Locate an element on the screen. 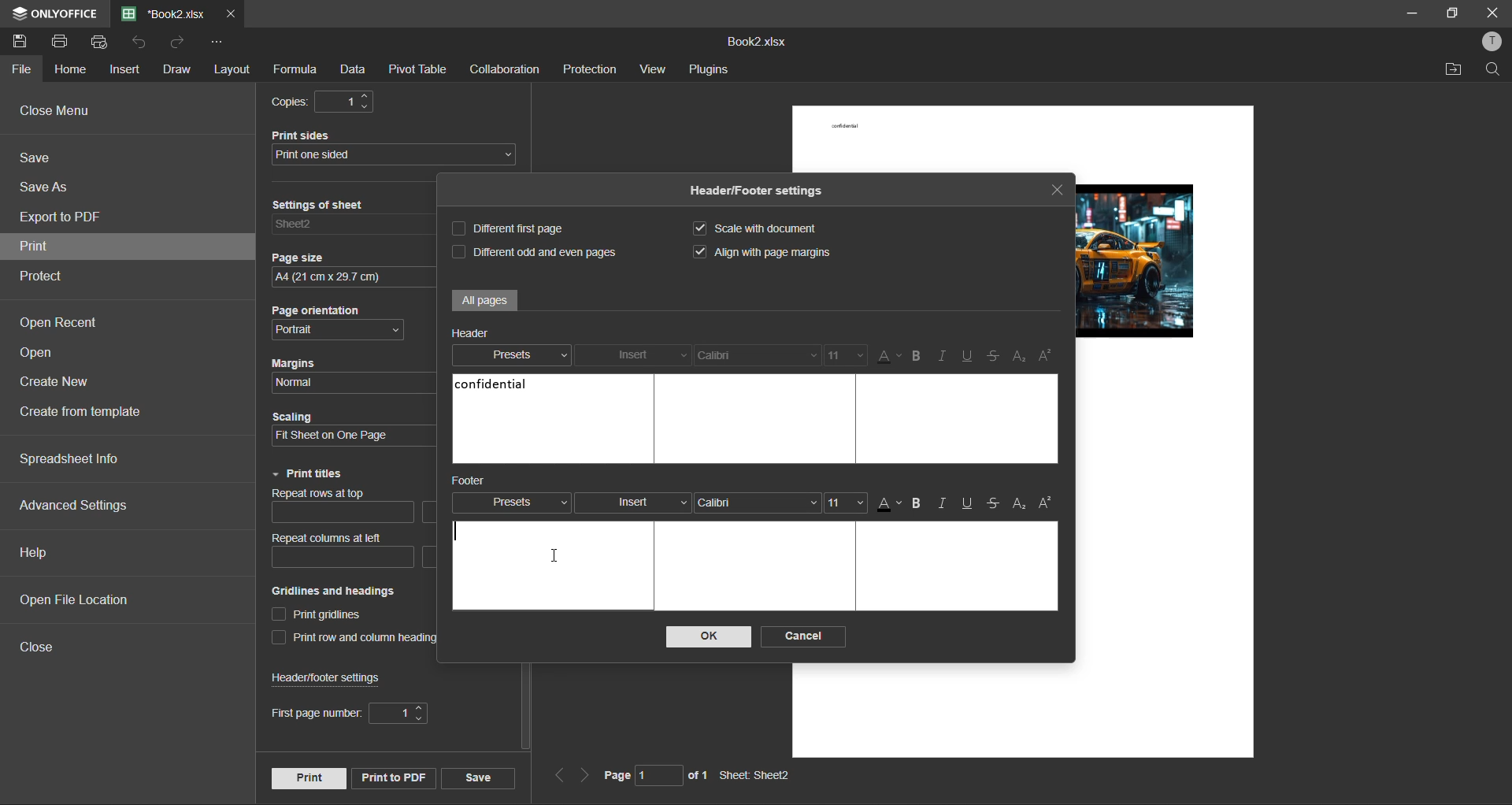  Sheet: Sheet2 is located at coordinates (755, 776).